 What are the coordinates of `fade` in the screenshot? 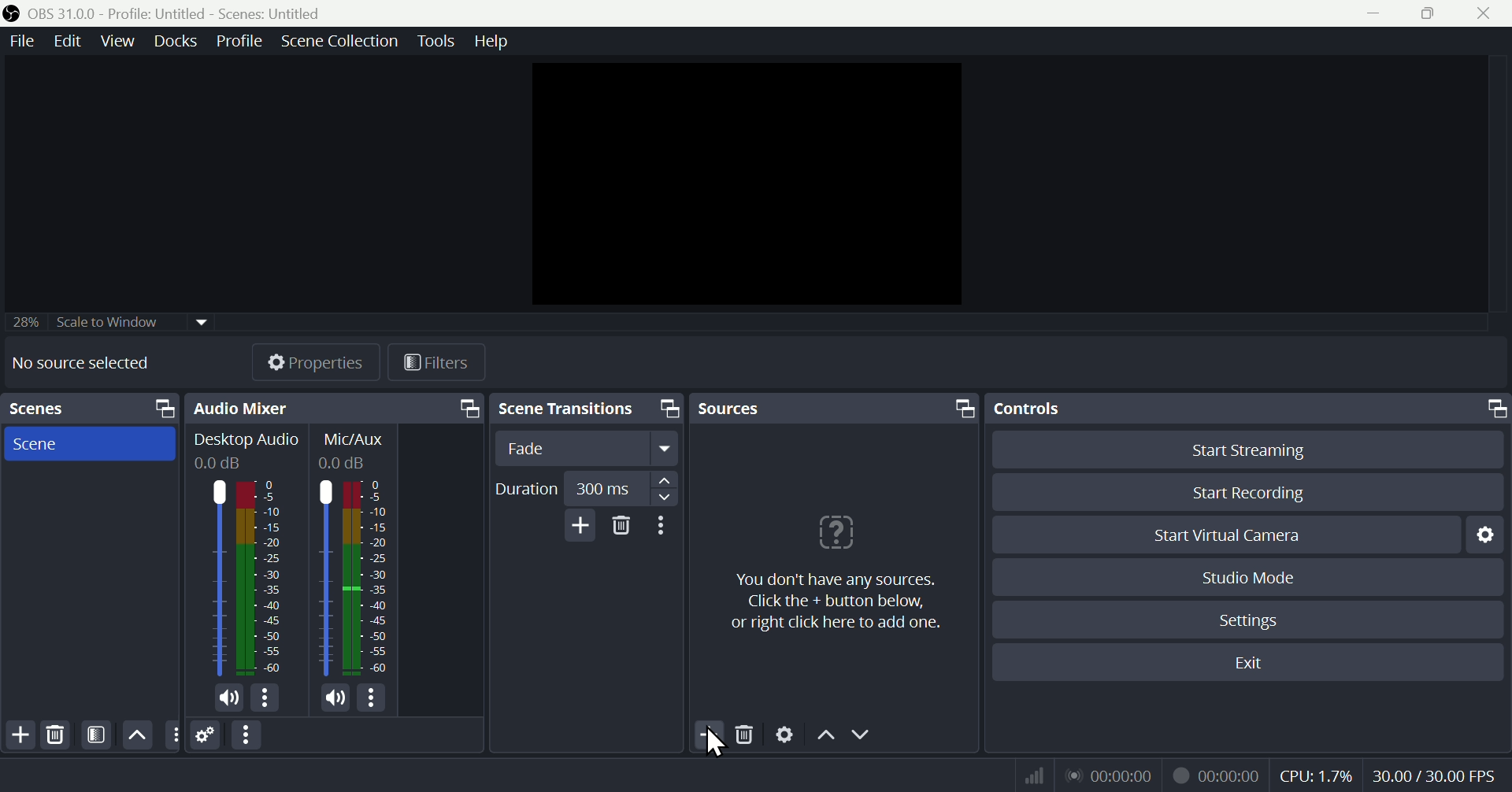 It's located at (588, 449).